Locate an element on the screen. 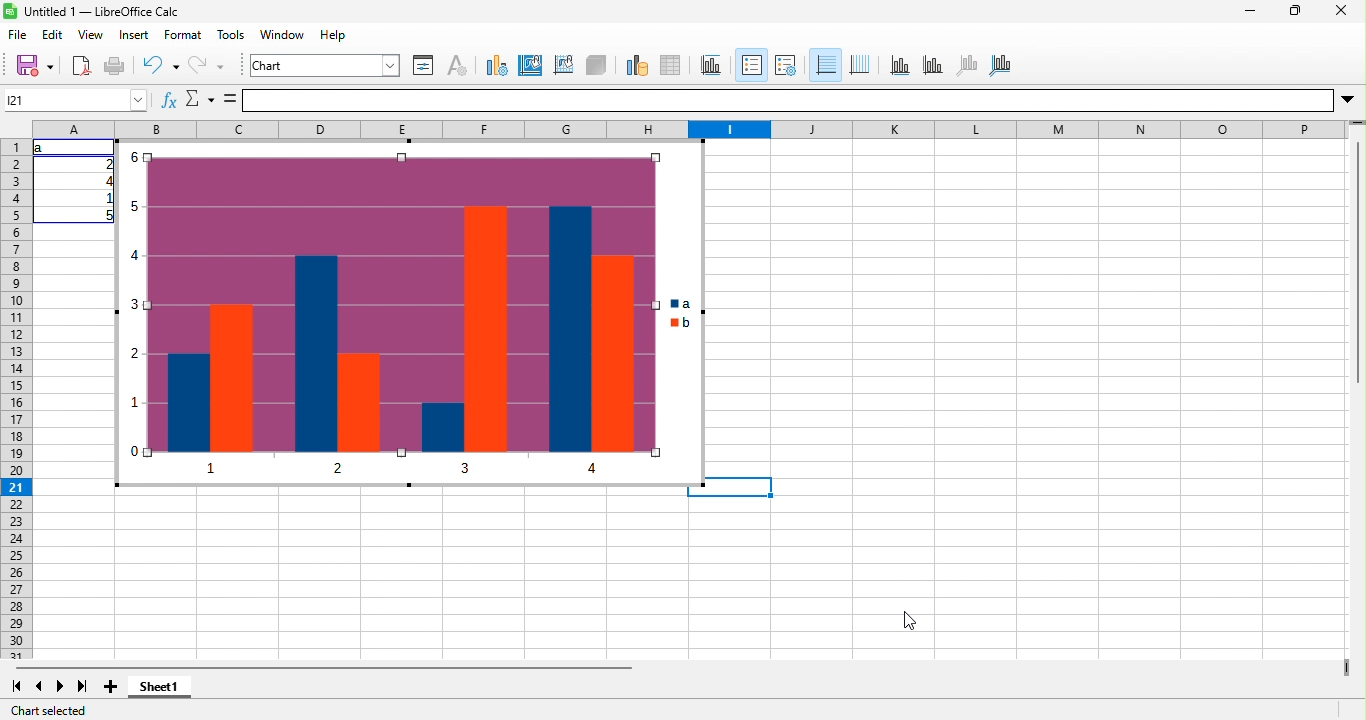 The image size is (1366, 720). a is located at coordinates (42, 148).